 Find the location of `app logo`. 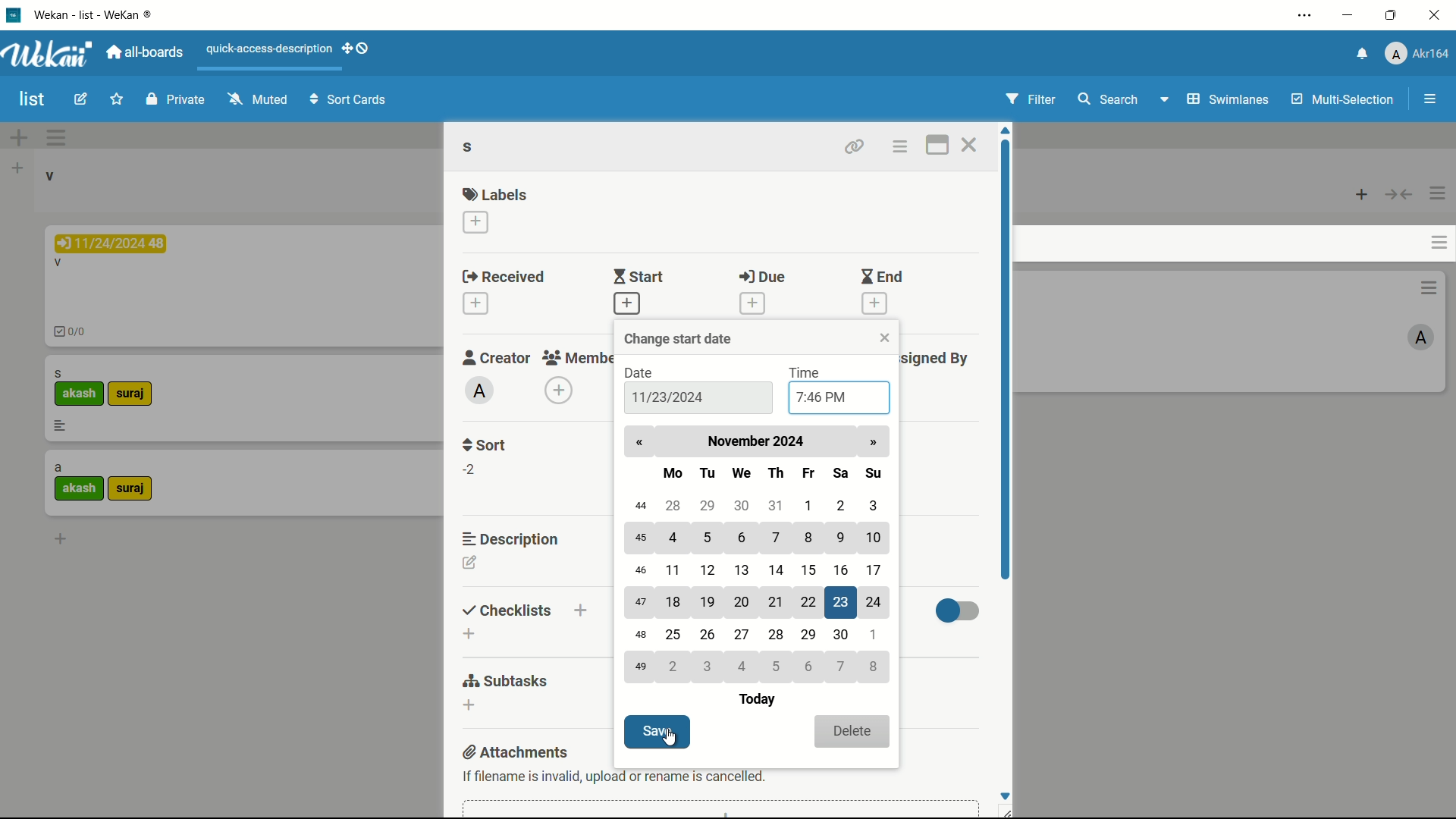

app logo is located at coordinates (49, 54).